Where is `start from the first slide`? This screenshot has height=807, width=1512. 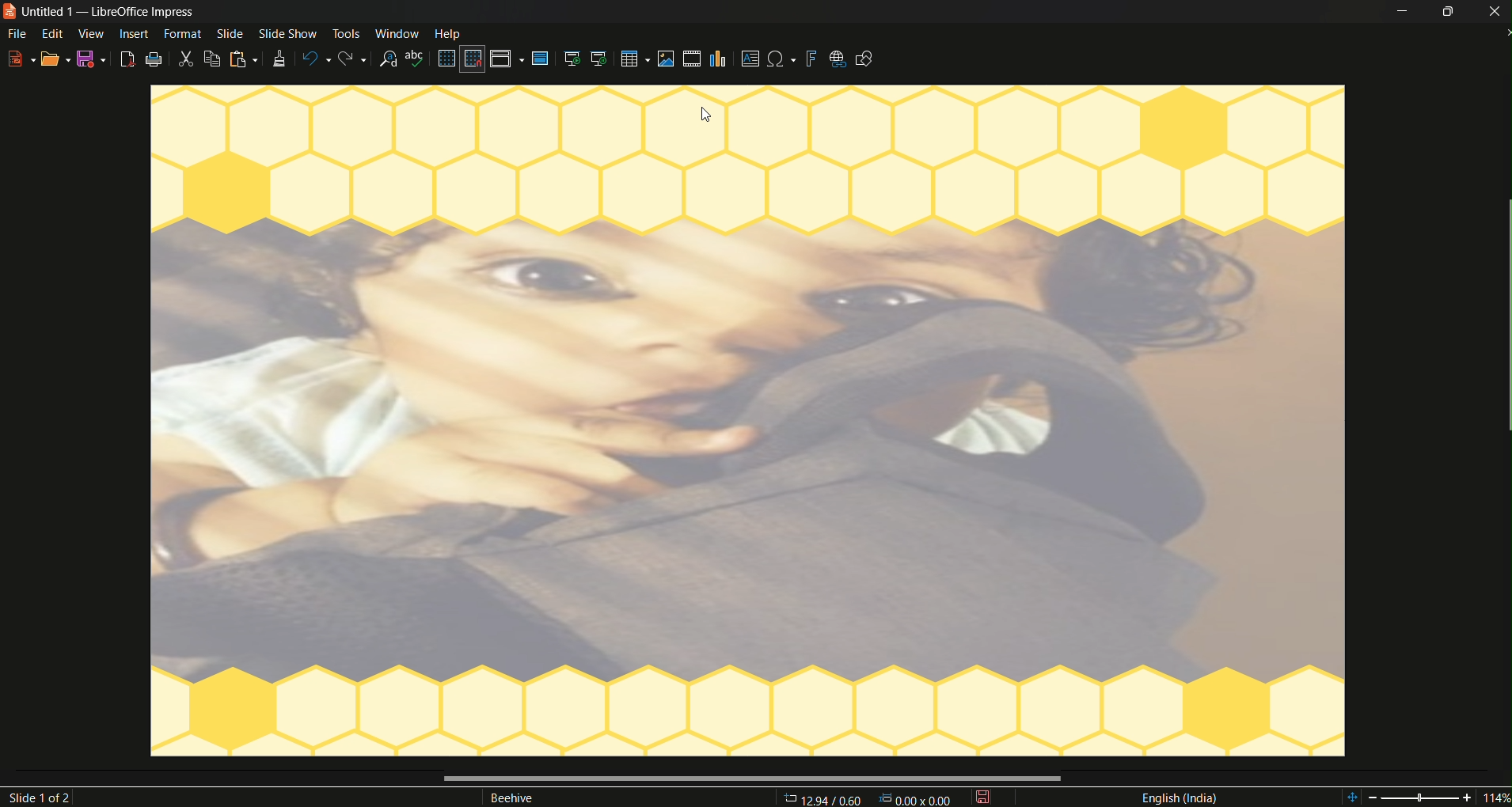 start from the first slide is located at coordinates (572, 59).